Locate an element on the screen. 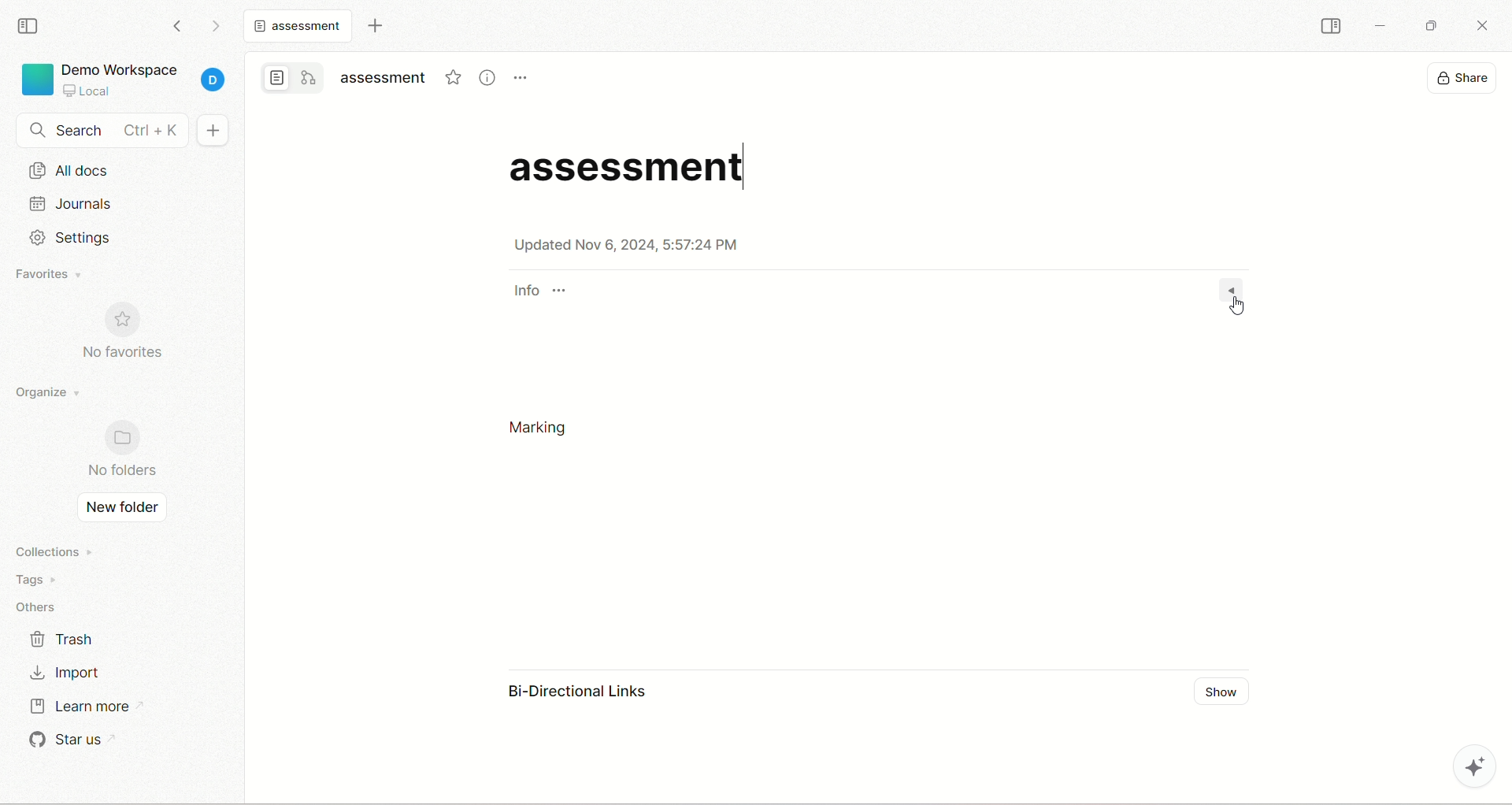  organize is located at coordinates (49, 390).